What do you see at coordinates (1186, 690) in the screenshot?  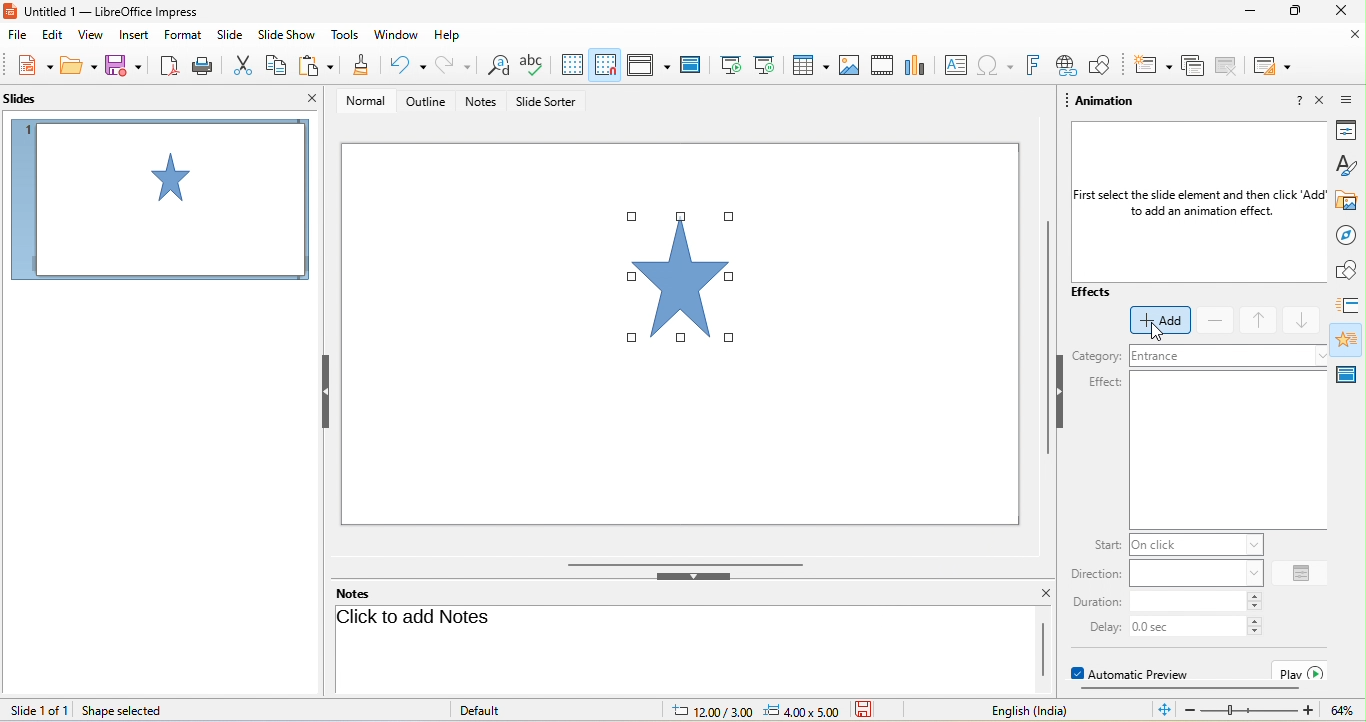 I see `horizontal scroll bar` at bounding box center [1186, 690].